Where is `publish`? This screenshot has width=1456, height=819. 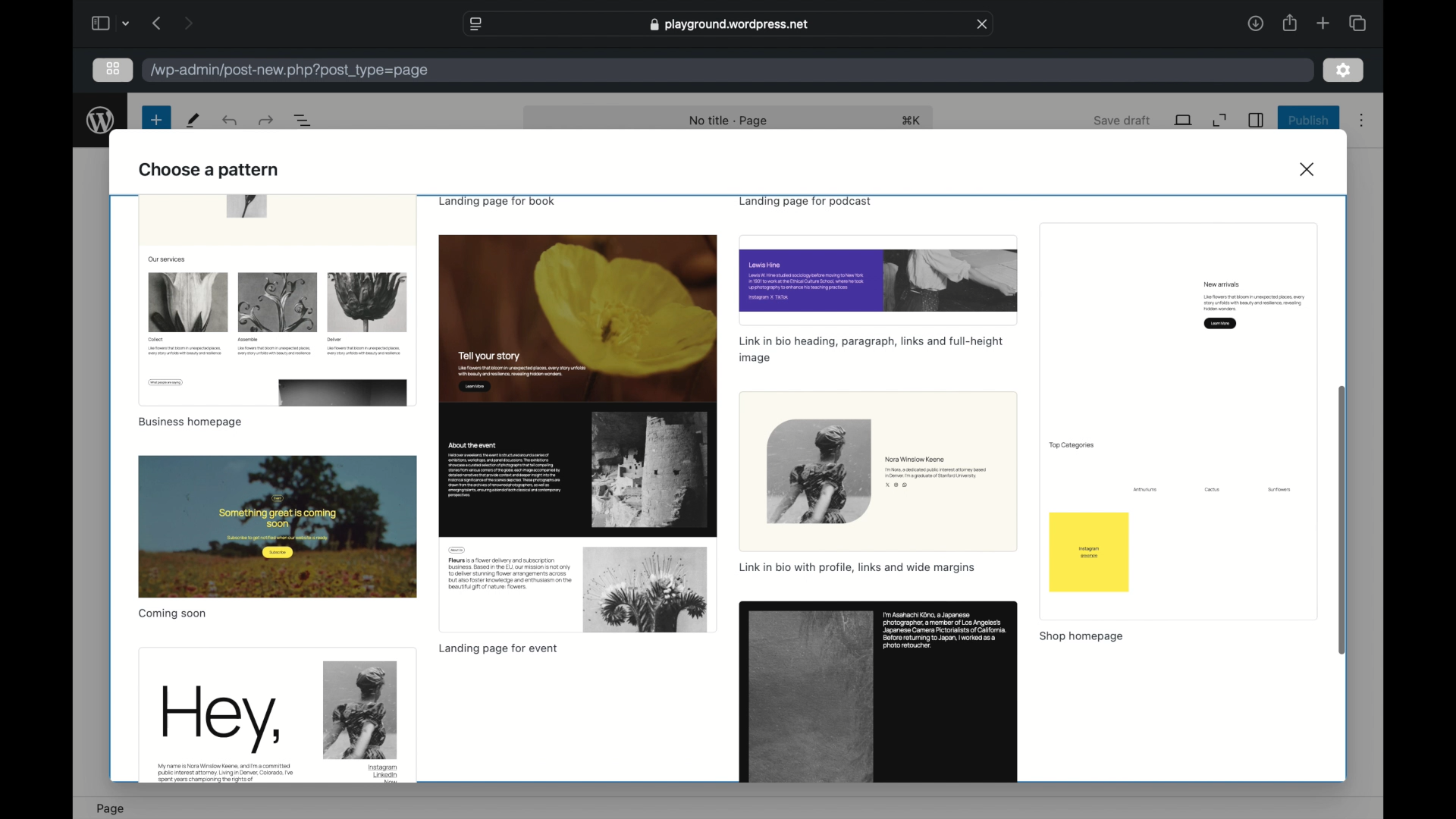
publish is located at coordinates (1310, 121).